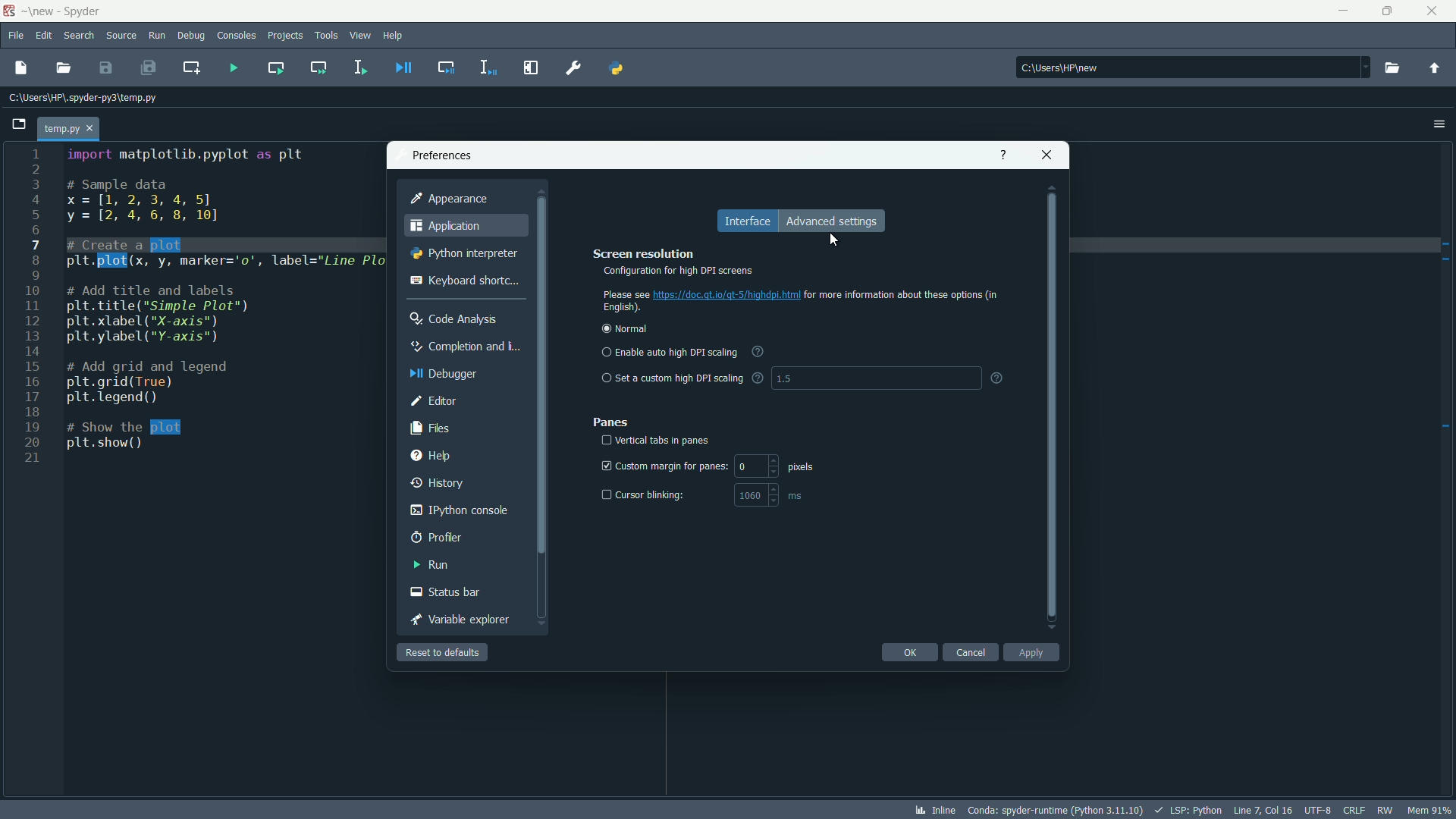 The image size is (1456, 819). What do you see at coordinates (541, 408) in the screenshot?
I see `vertical scrollbar` at bounding box center [541, 408].